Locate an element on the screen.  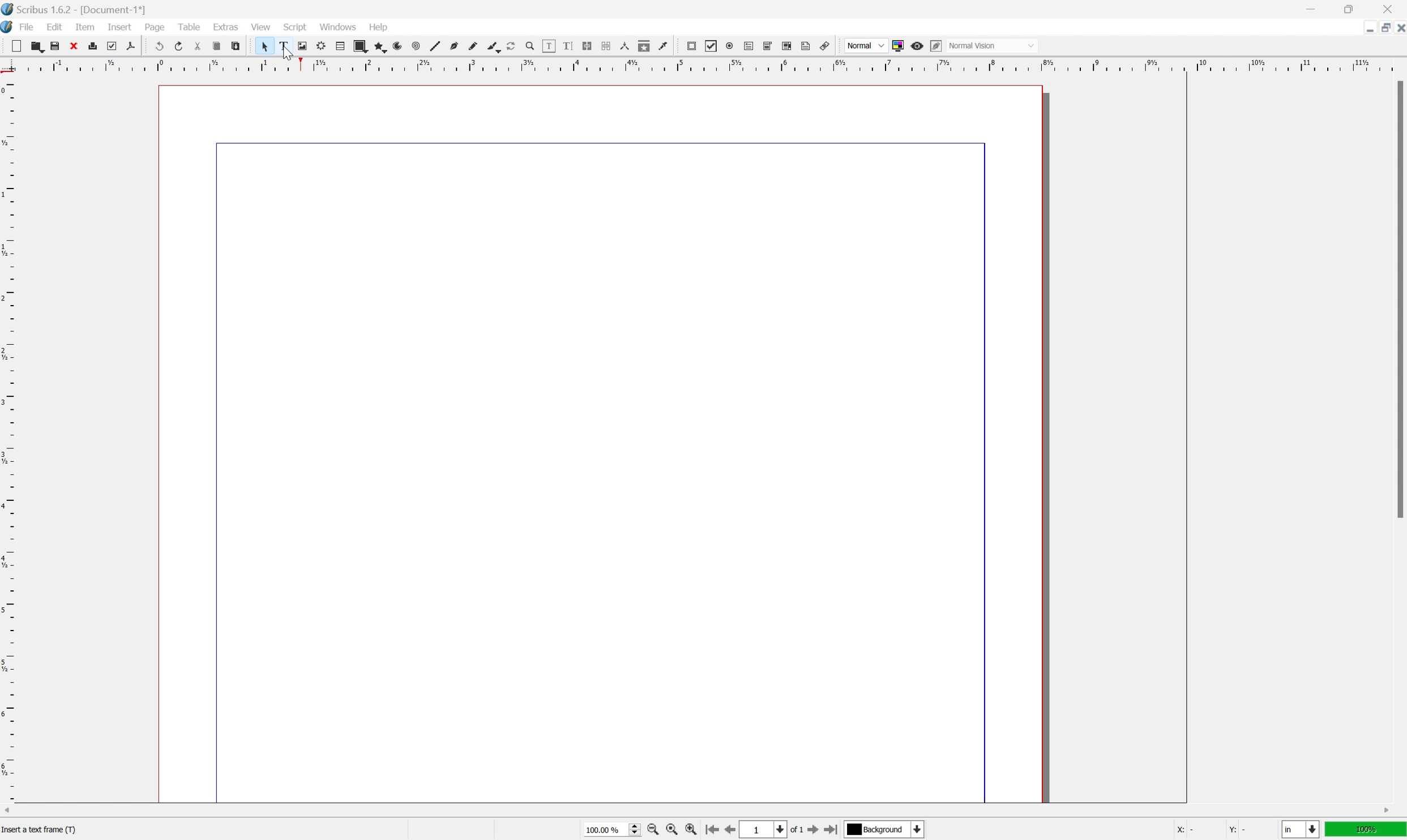
page is located at coordinates (156, 27).